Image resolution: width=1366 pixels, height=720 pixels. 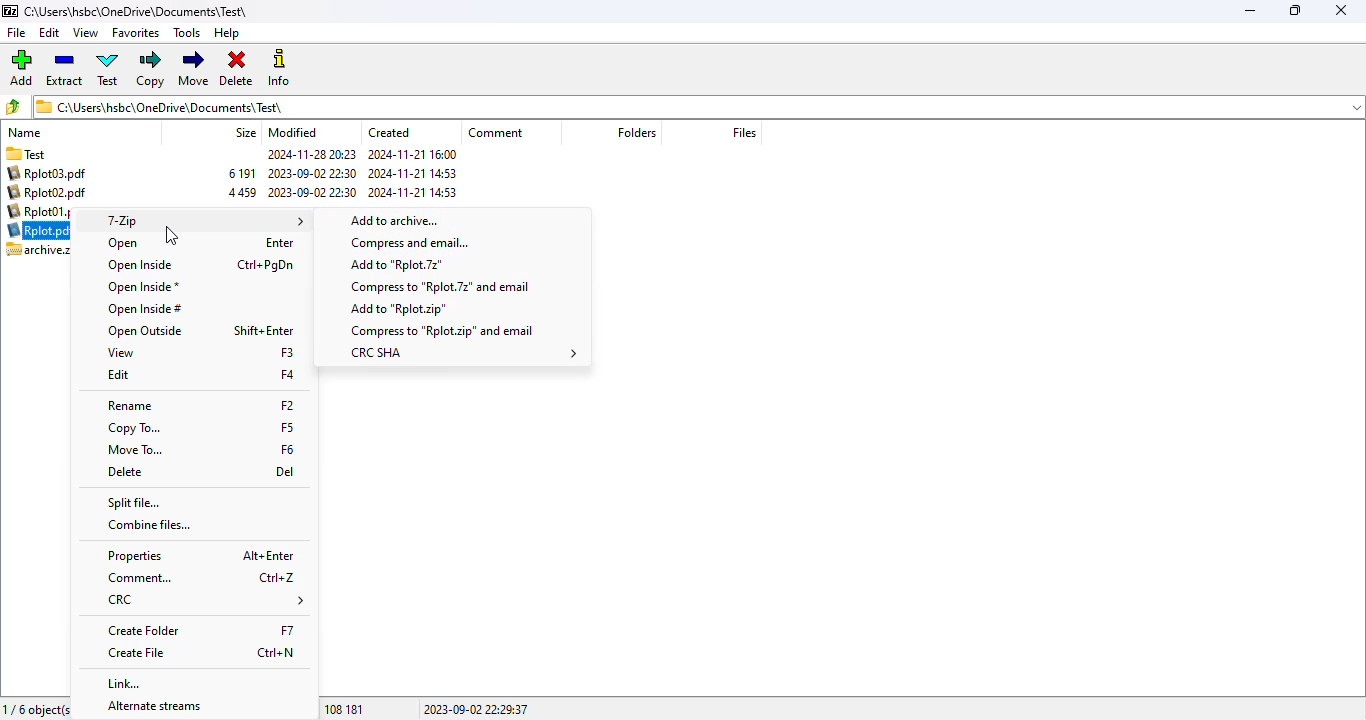 I want to click on open, so click(x=123, y=243).